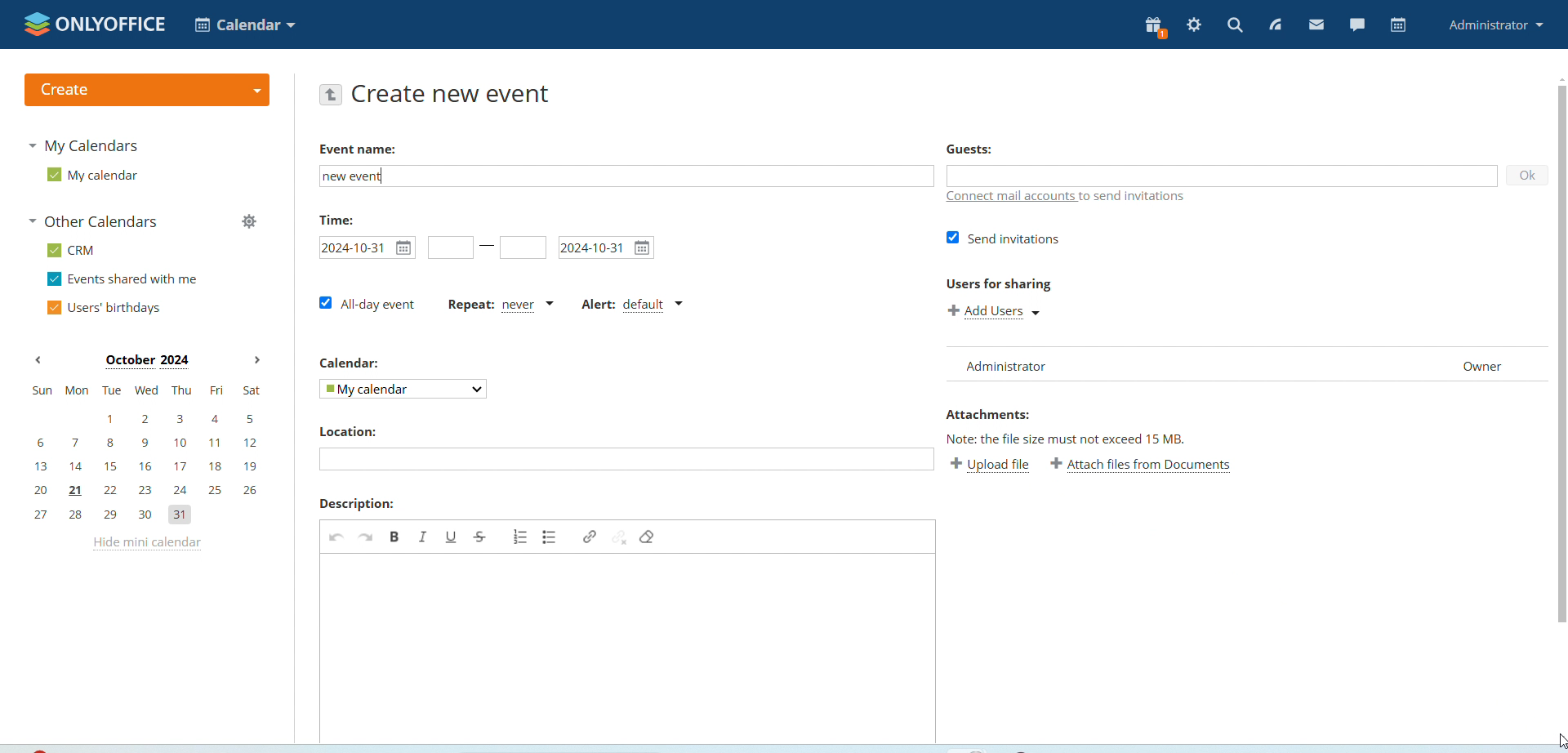  I want to click on Administrator Owner, so click(1228, 364).